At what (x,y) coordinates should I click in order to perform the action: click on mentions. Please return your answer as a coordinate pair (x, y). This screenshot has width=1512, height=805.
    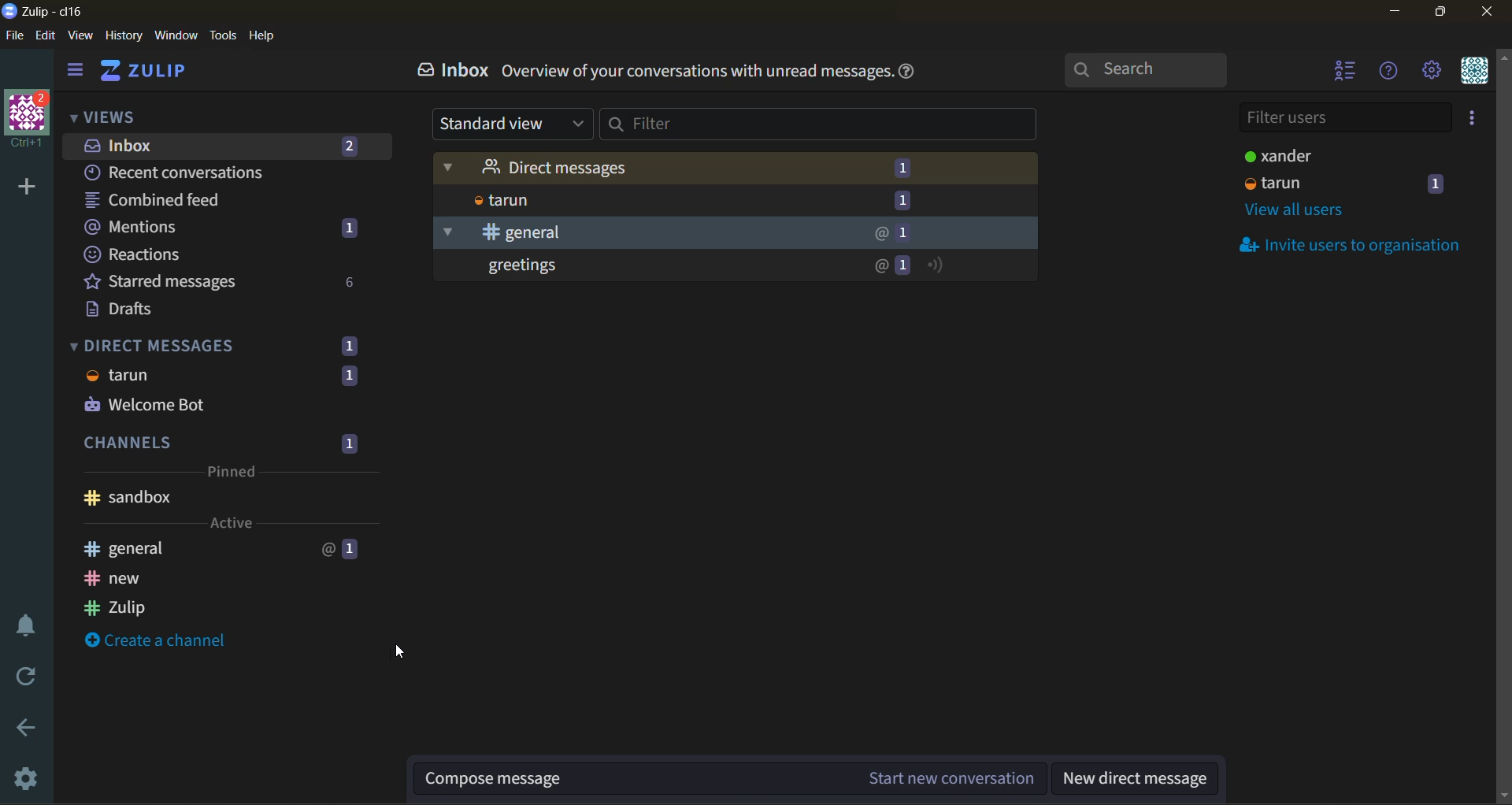
    Looking at the image, I should click on (226, 228).